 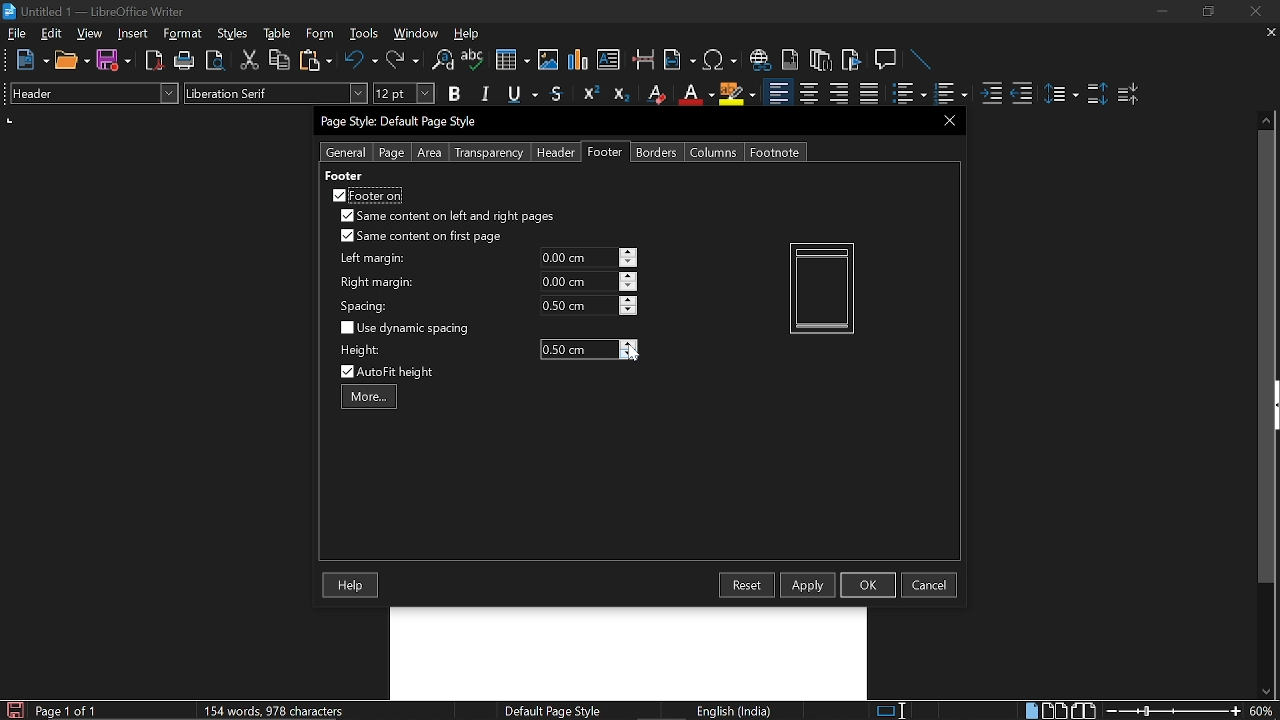 What do you see at coordinates (578, 305) in the screenshot?
I see `current spacing` at bounding box center [578, 305].